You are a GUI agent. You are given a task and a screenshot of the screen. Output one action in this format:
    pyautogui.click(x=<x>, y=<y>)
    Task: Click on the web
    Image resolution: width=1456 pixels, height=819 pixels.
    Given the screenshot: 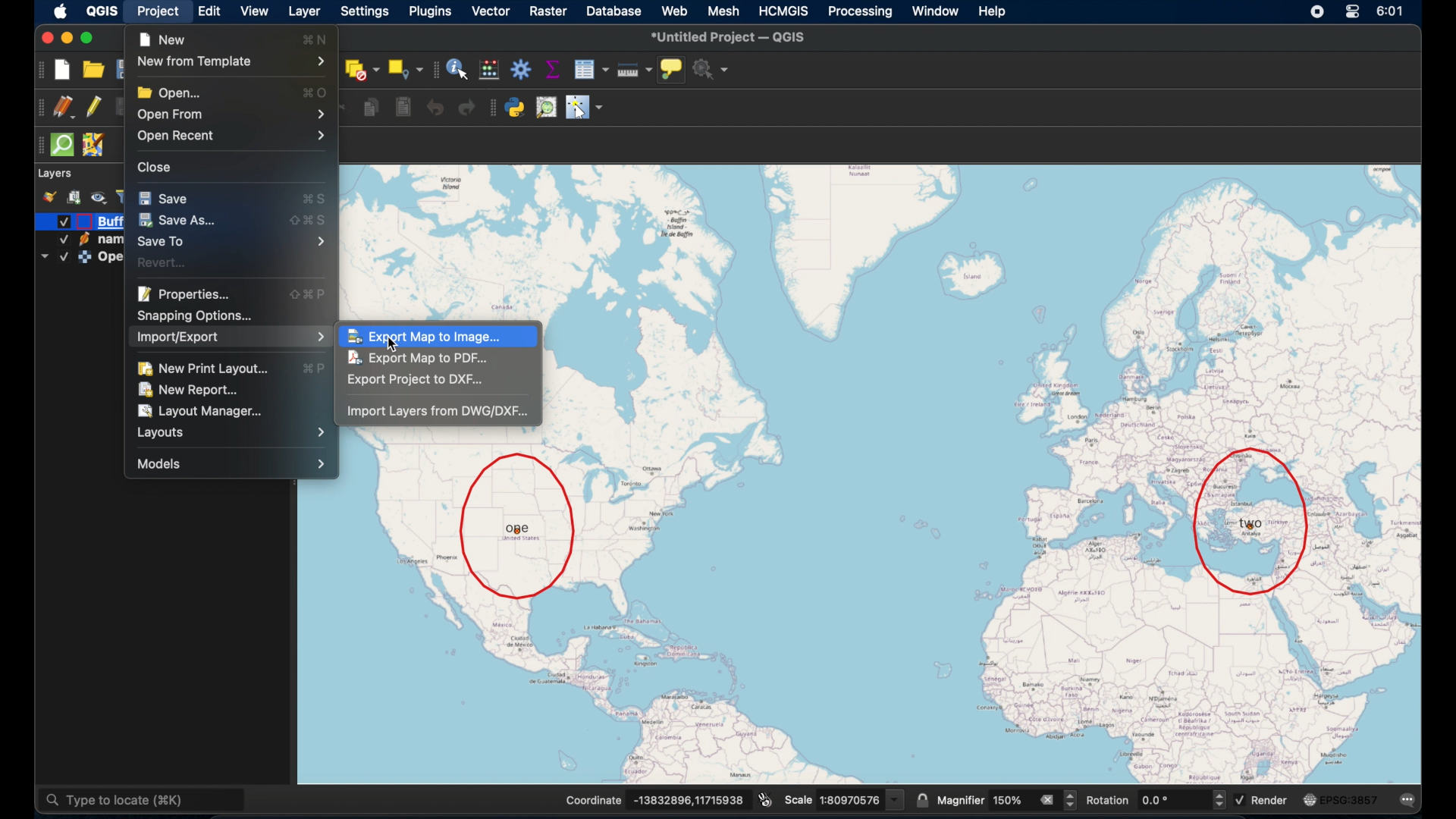 What is the action you would take?
    pyautogui.click(x=674, y=8)
    